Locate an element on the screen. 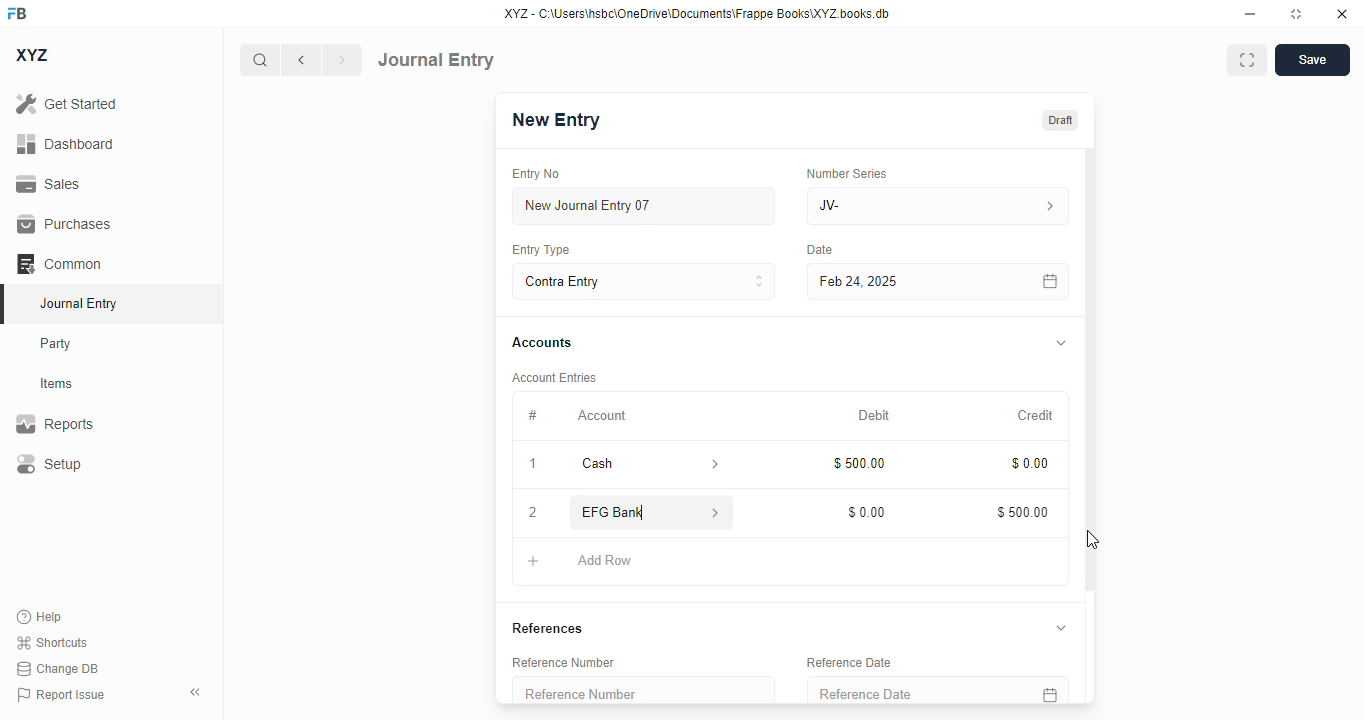 This screenshot has height=720, width=1364. new entry is located at coordinates (557, 119).